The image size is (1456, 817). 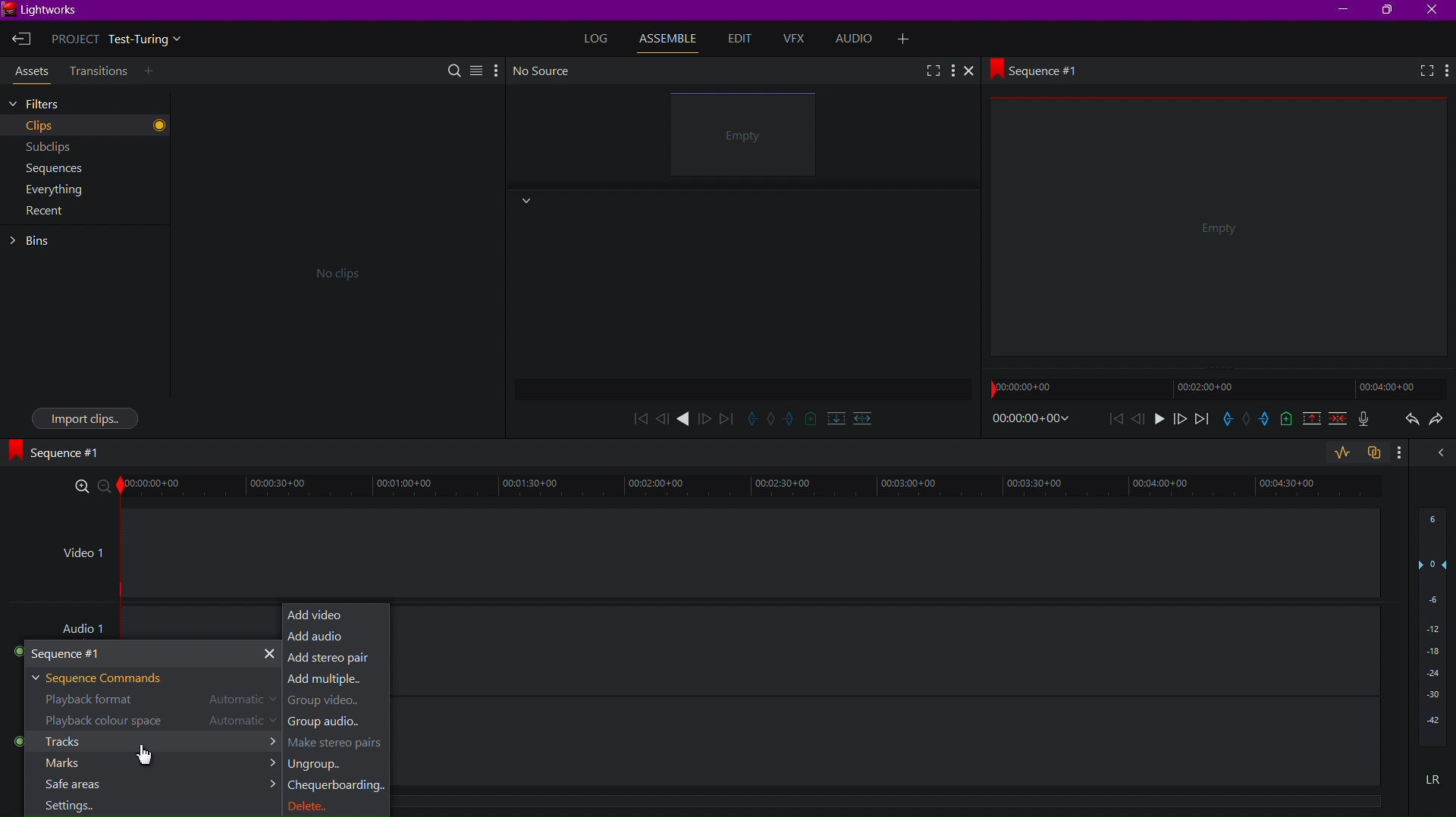 What do you see at coordinates (1178, 421) in the screenshot?
I see `front` at bounding box center [1178, 421].